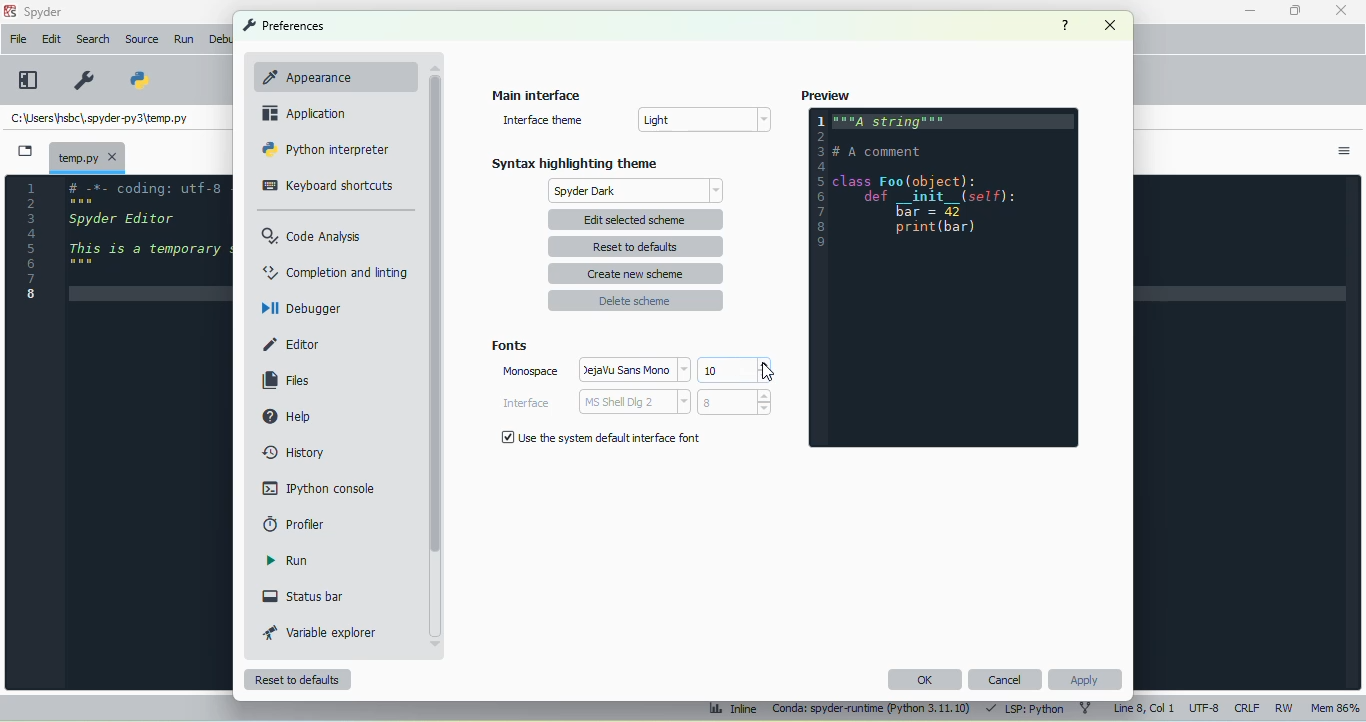 The width and height of the screenshot is (1366, 722). What do you see at coordinates (733, 709) in the screenshot?
I see `inline` at bounding box center [733, 709].